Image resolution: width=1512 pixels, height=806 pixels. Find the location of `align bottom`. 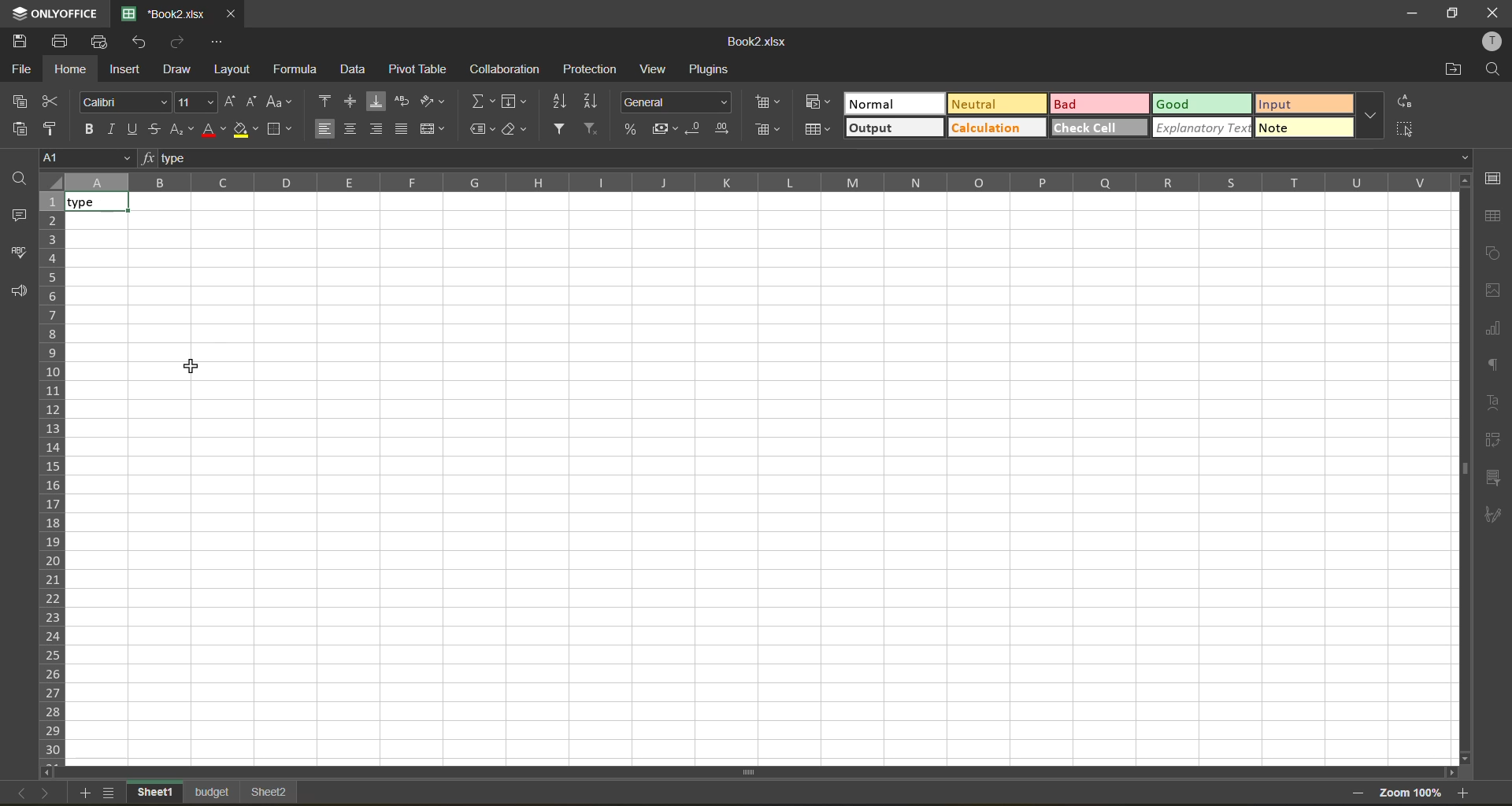

align bottom is located at coordinates (376, 102).